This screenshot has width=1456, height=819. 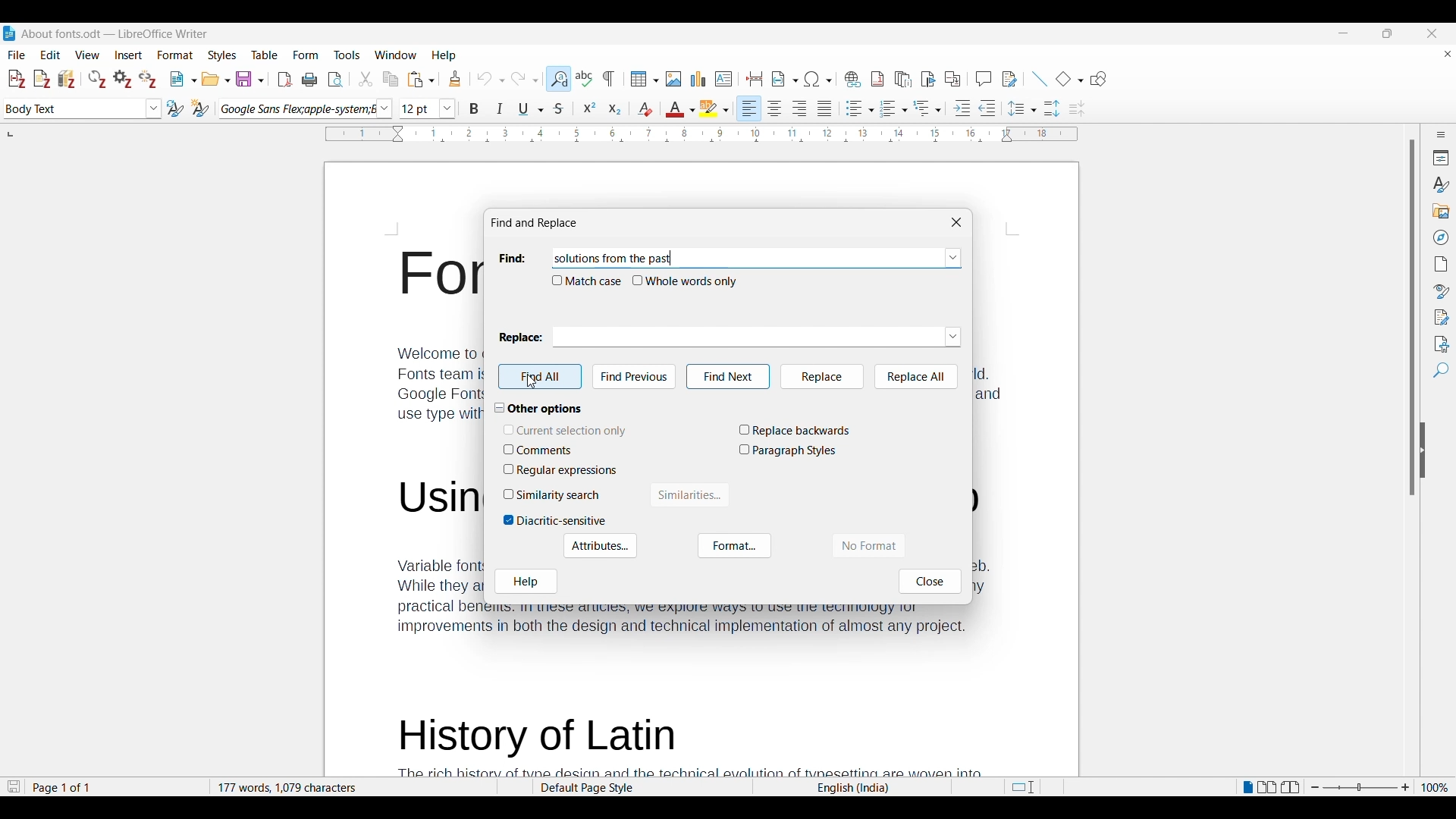 What do you see at coordinates (535, 381) in the screenshot?
I see `cursor` at bounding box center [535, 381].